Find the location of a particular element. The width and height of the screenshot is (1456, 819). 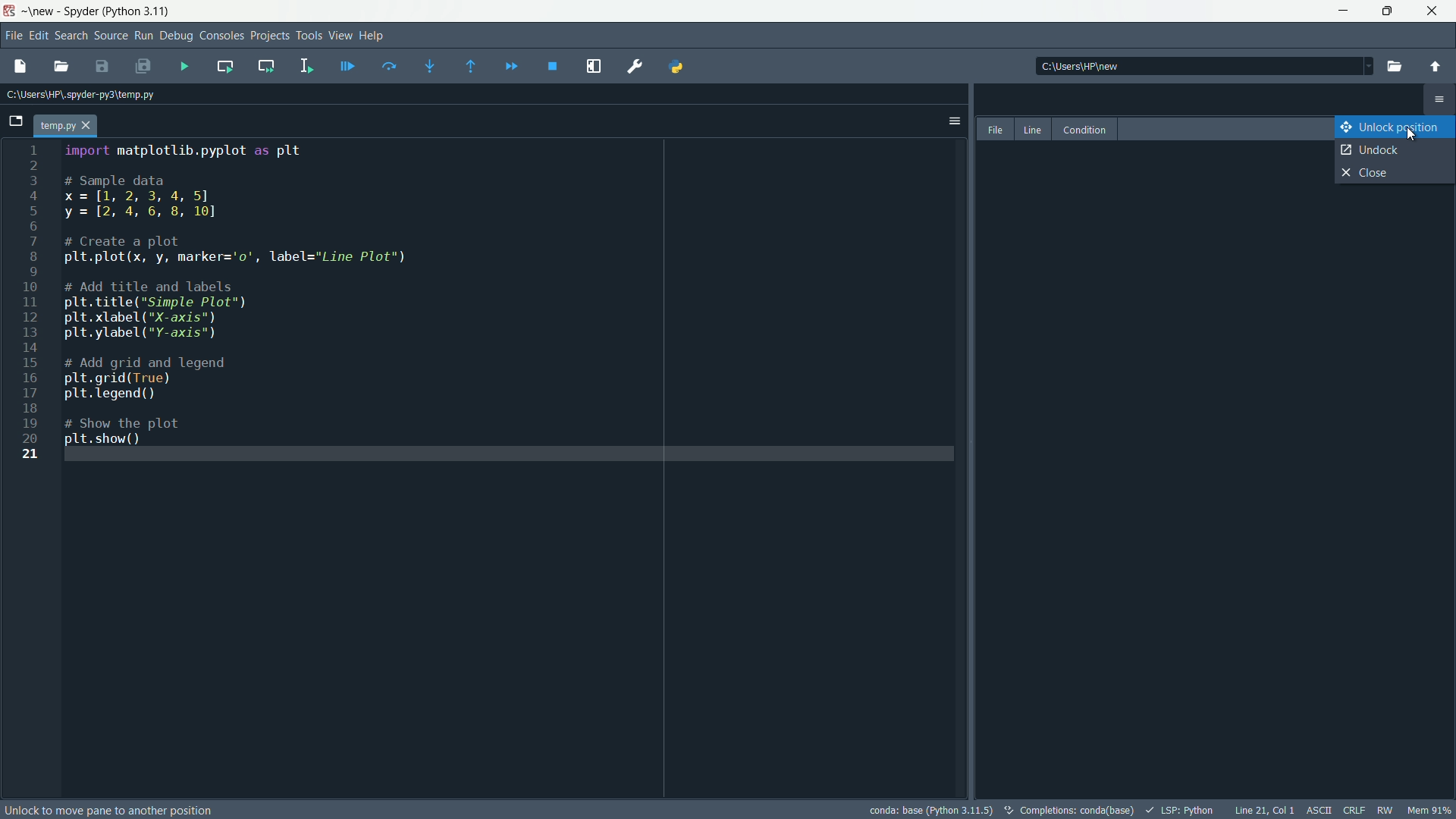

close is located at coordinates (1394, 174).